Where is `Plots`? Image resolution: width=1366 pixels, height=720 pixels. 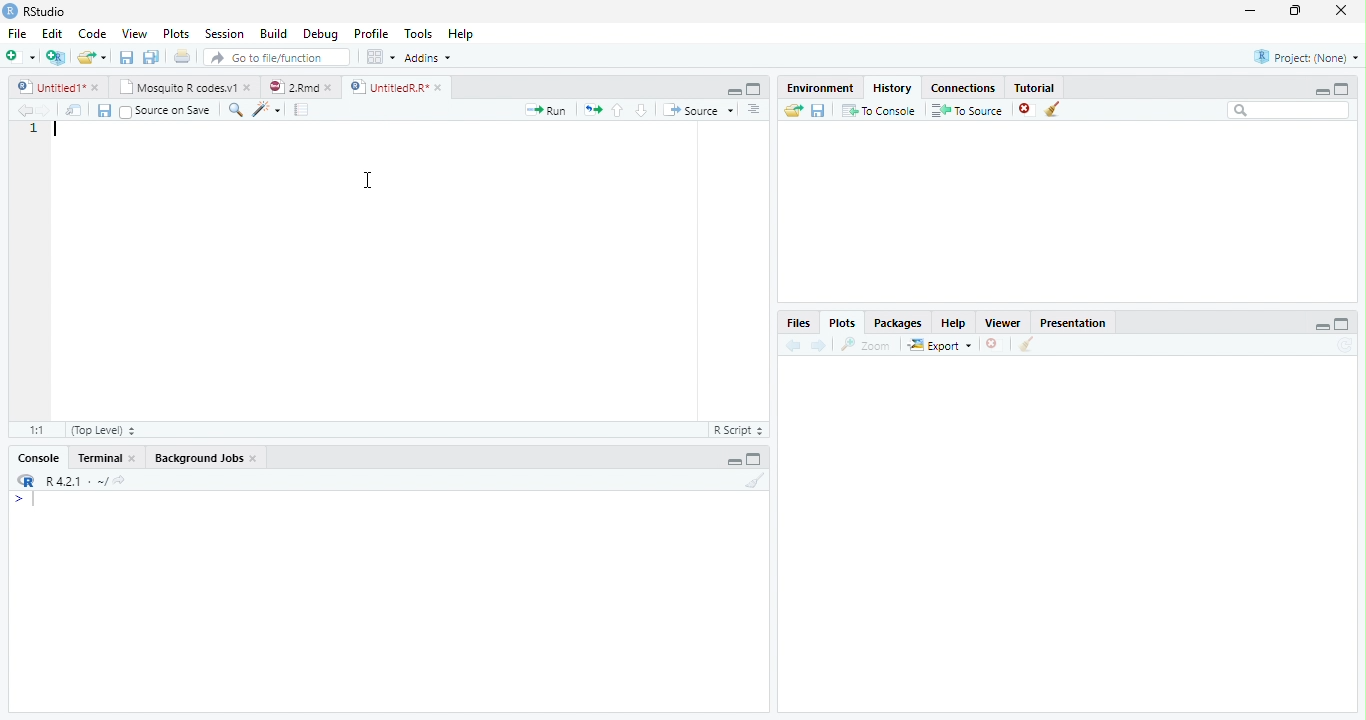 Plots is located at coordinates (175, 33).